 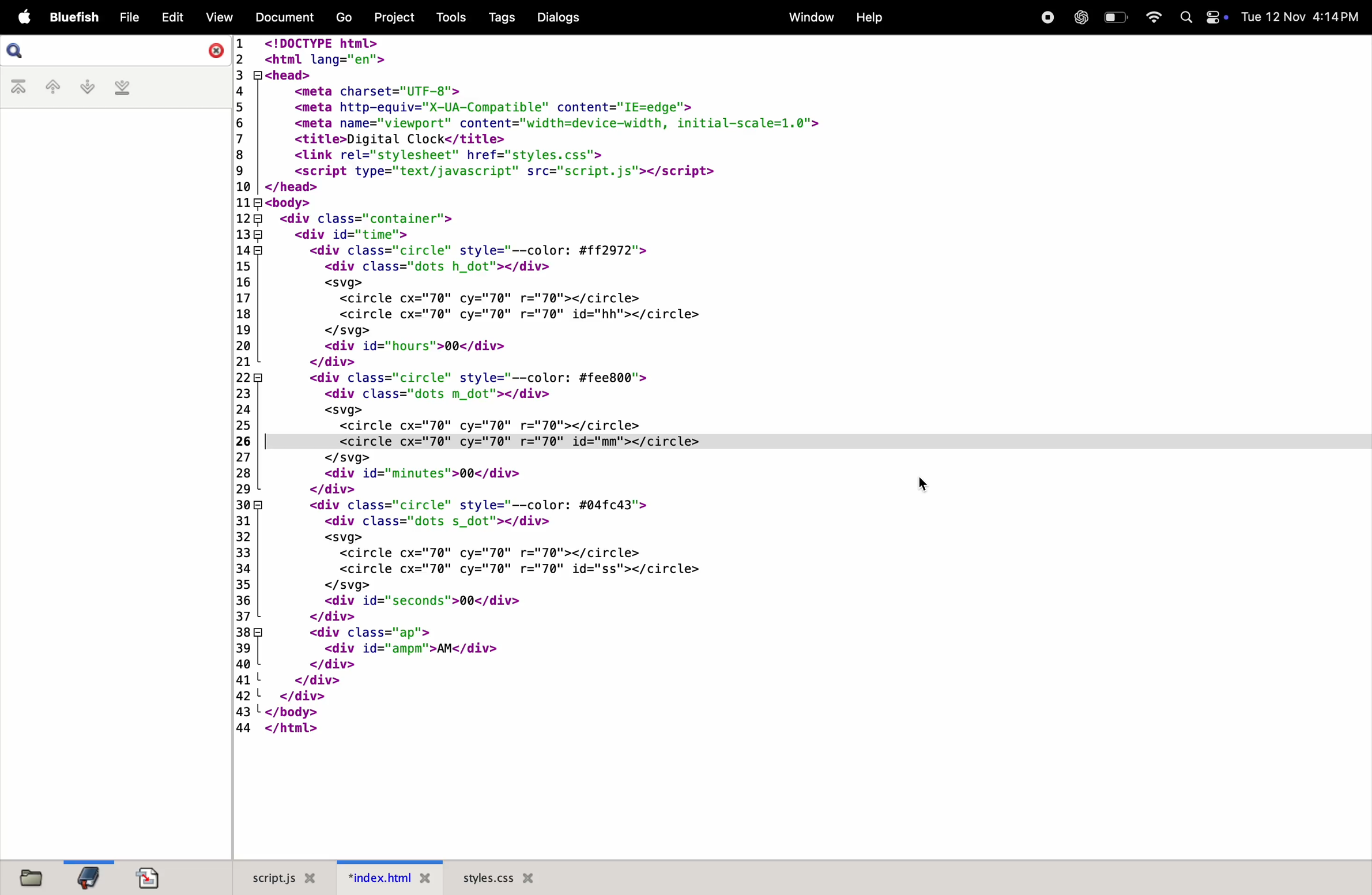 What do you see at coordinates (807, 17) in the screenshot?
I see `window` at bounding box center [807, 17].